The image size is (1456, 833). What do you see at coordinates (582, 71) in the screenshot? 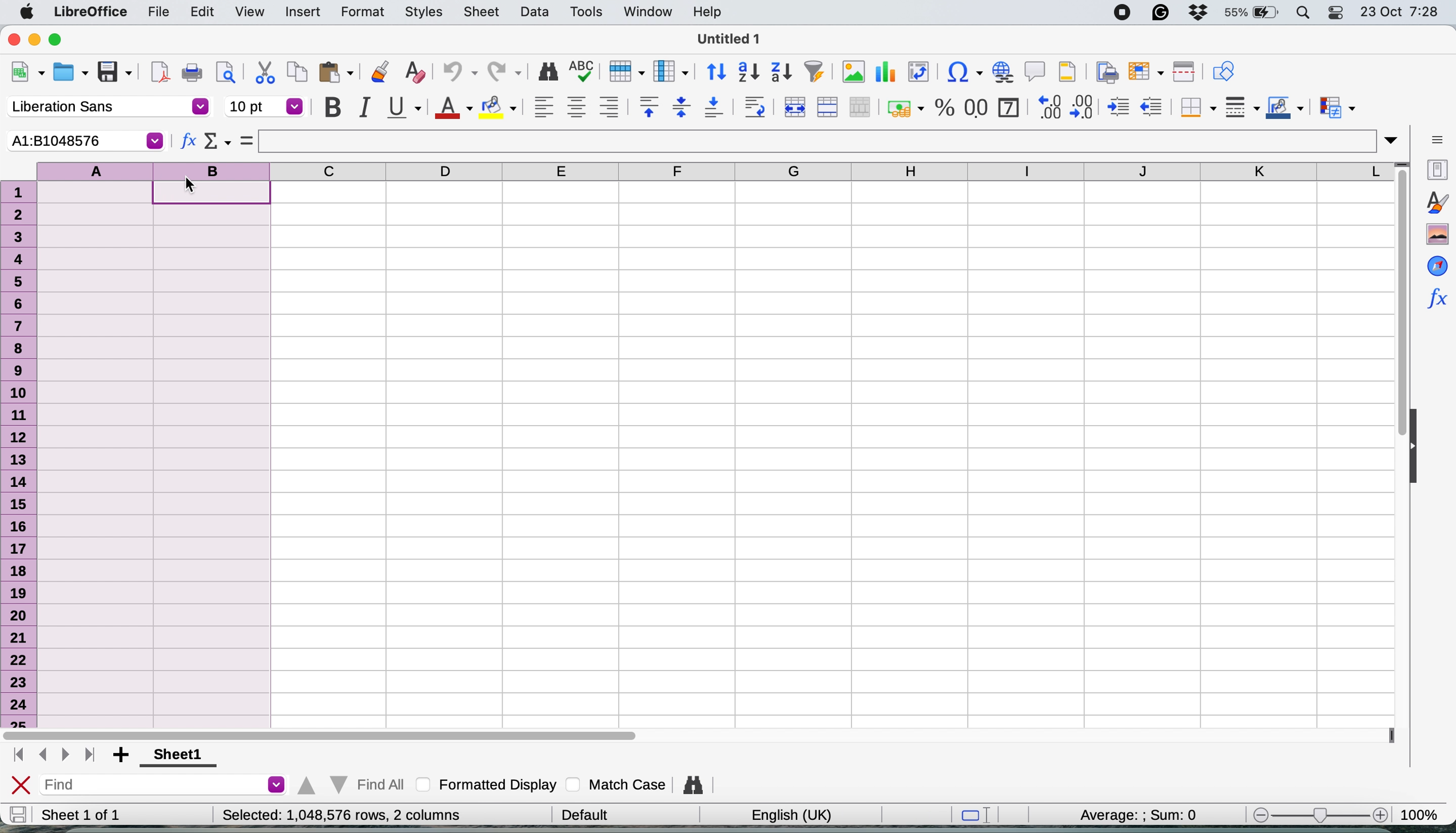
I see `spelling` at bounding box center [582, 71].